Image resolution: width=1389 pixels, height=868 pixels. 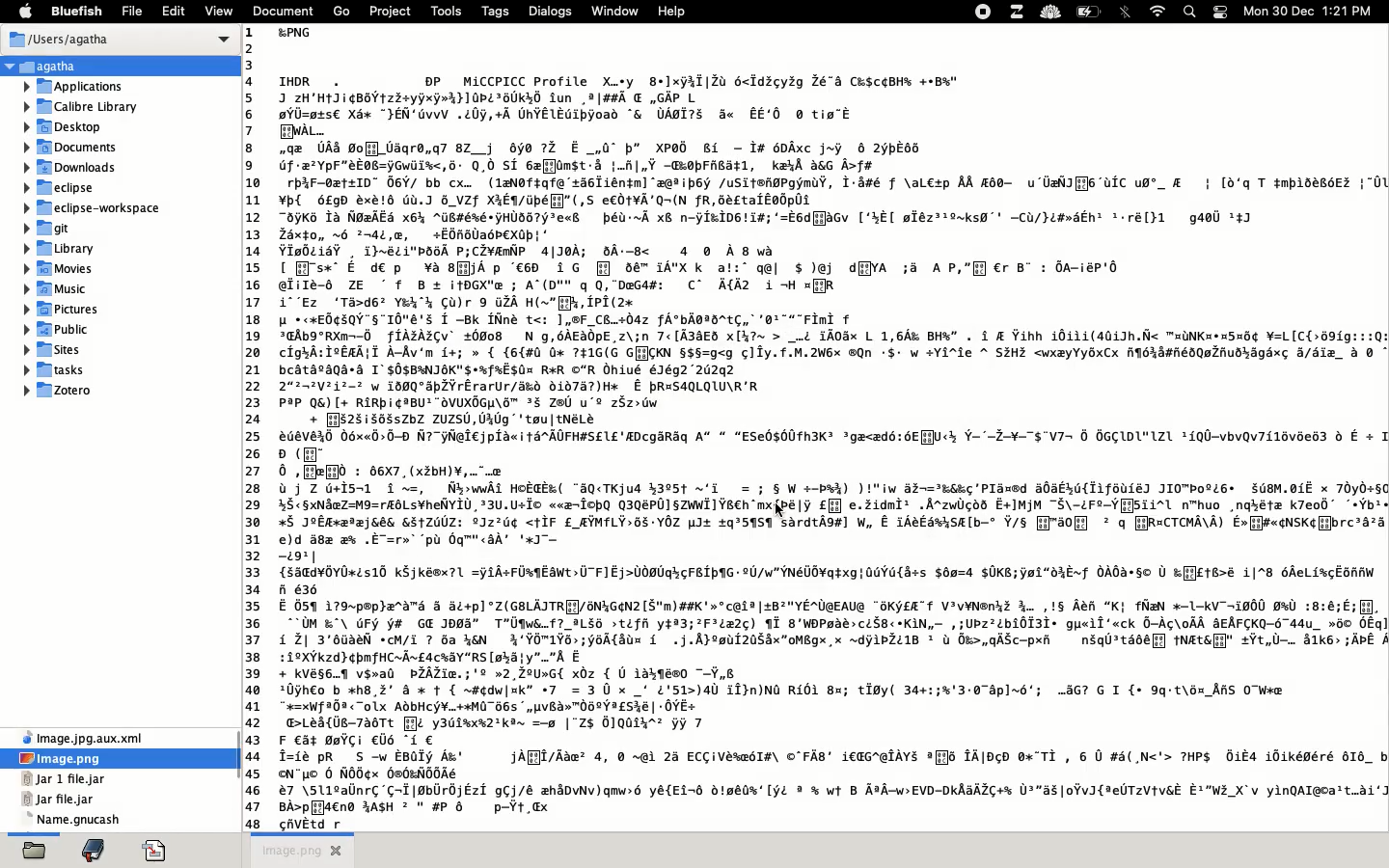 What do you see at coordinates (24, 12) in the screenshot?
I see `apple` at bounding box center [24, 12].